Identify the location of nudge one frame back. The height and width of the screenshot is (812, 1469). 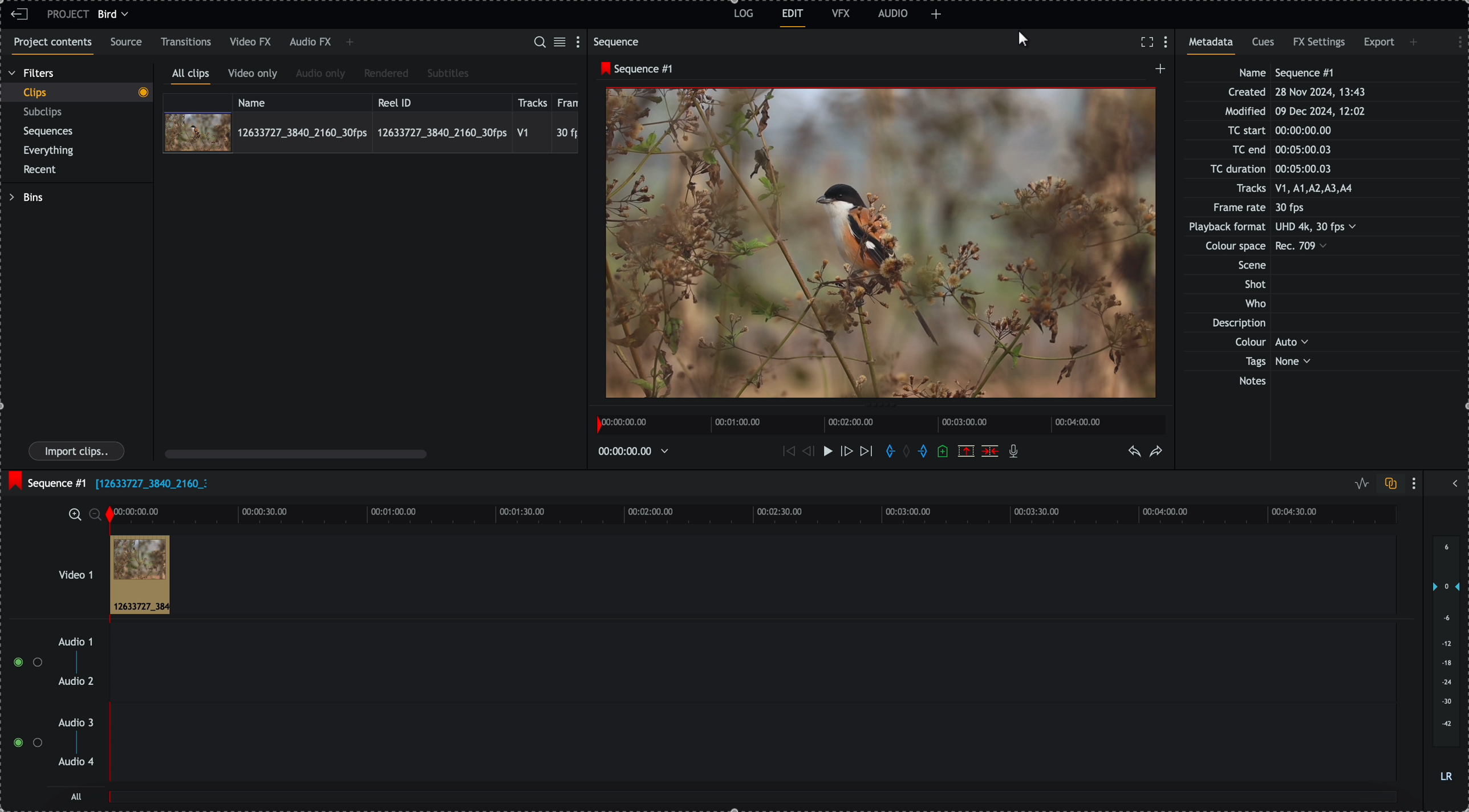
(805, 450).